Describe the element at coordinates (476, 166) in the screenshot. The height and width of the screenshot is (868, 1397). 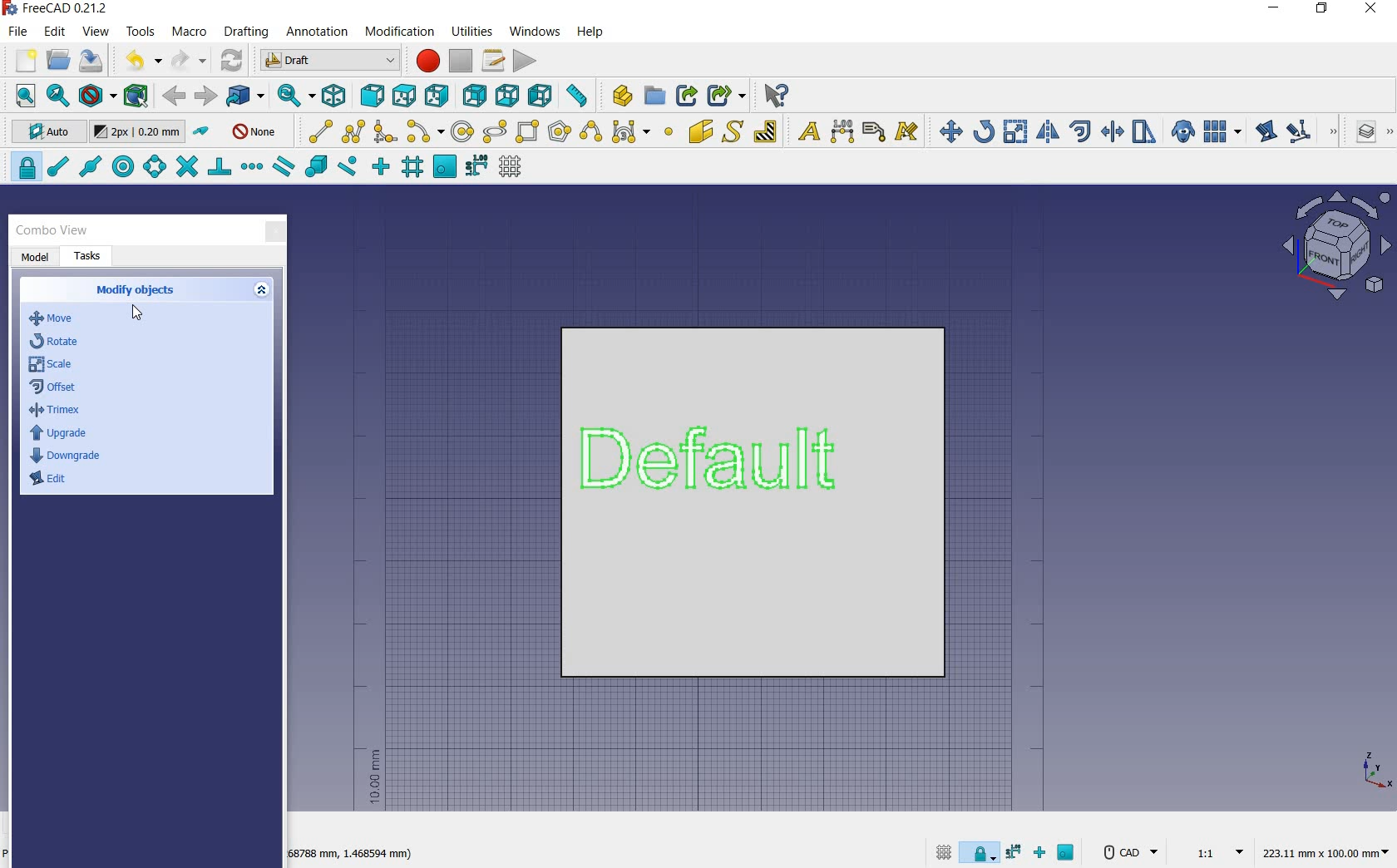
I see `snap dimensions` at that location.